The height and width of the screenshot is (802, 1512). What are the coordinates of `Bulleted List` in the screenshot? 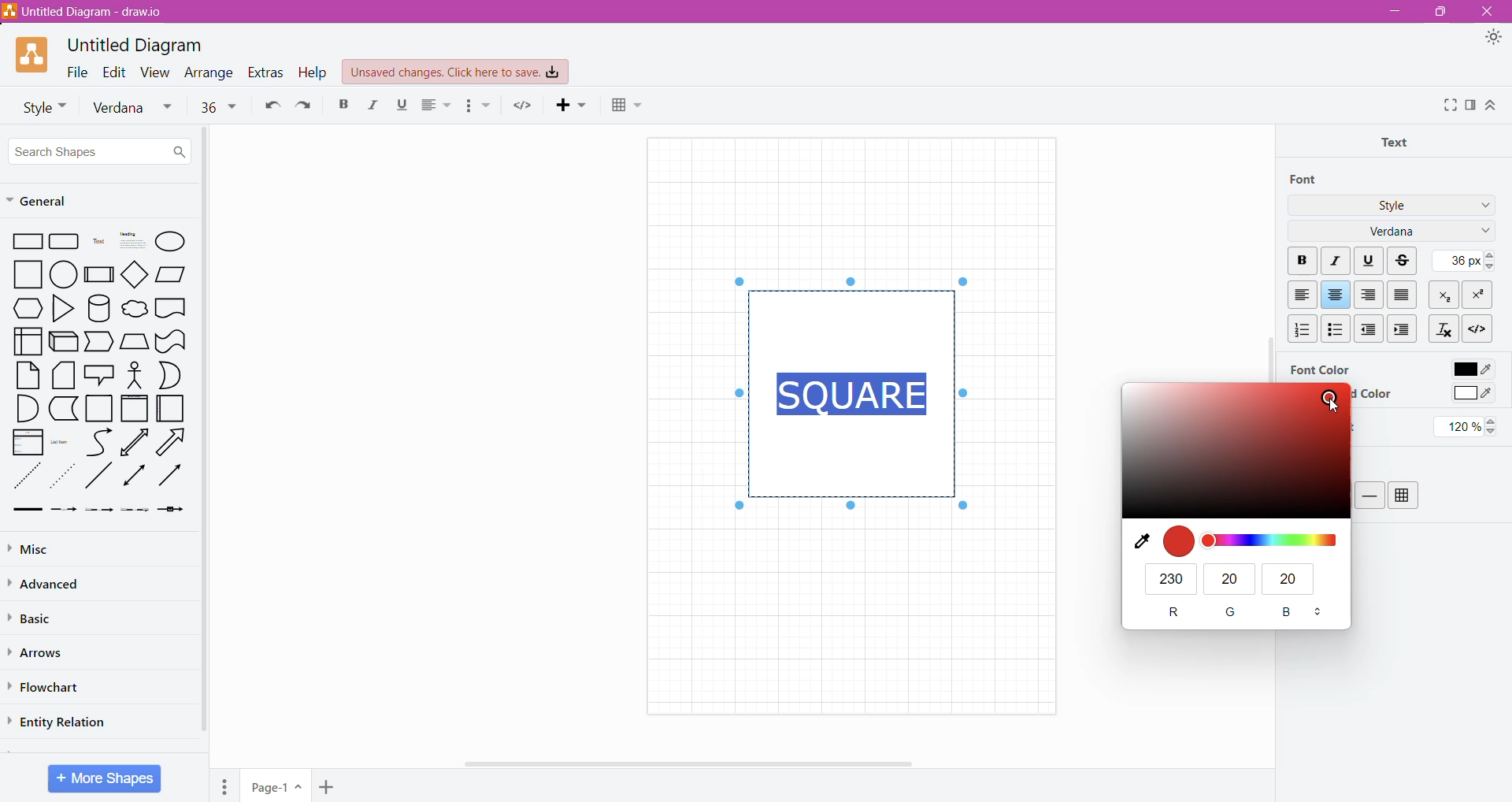 It's located at (1335, 328).